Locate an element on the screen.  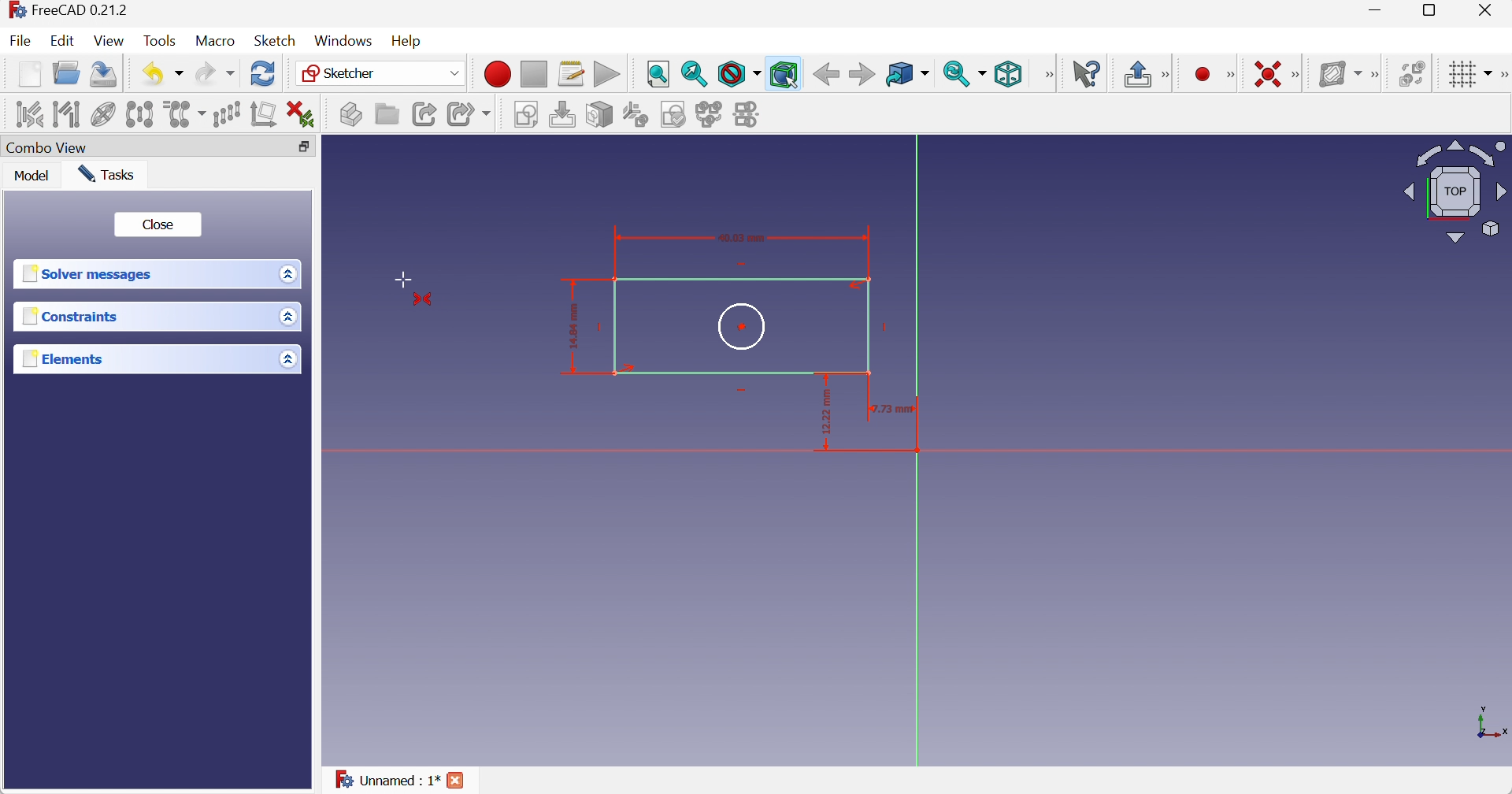
Macro is located at coordinates (213, 41).